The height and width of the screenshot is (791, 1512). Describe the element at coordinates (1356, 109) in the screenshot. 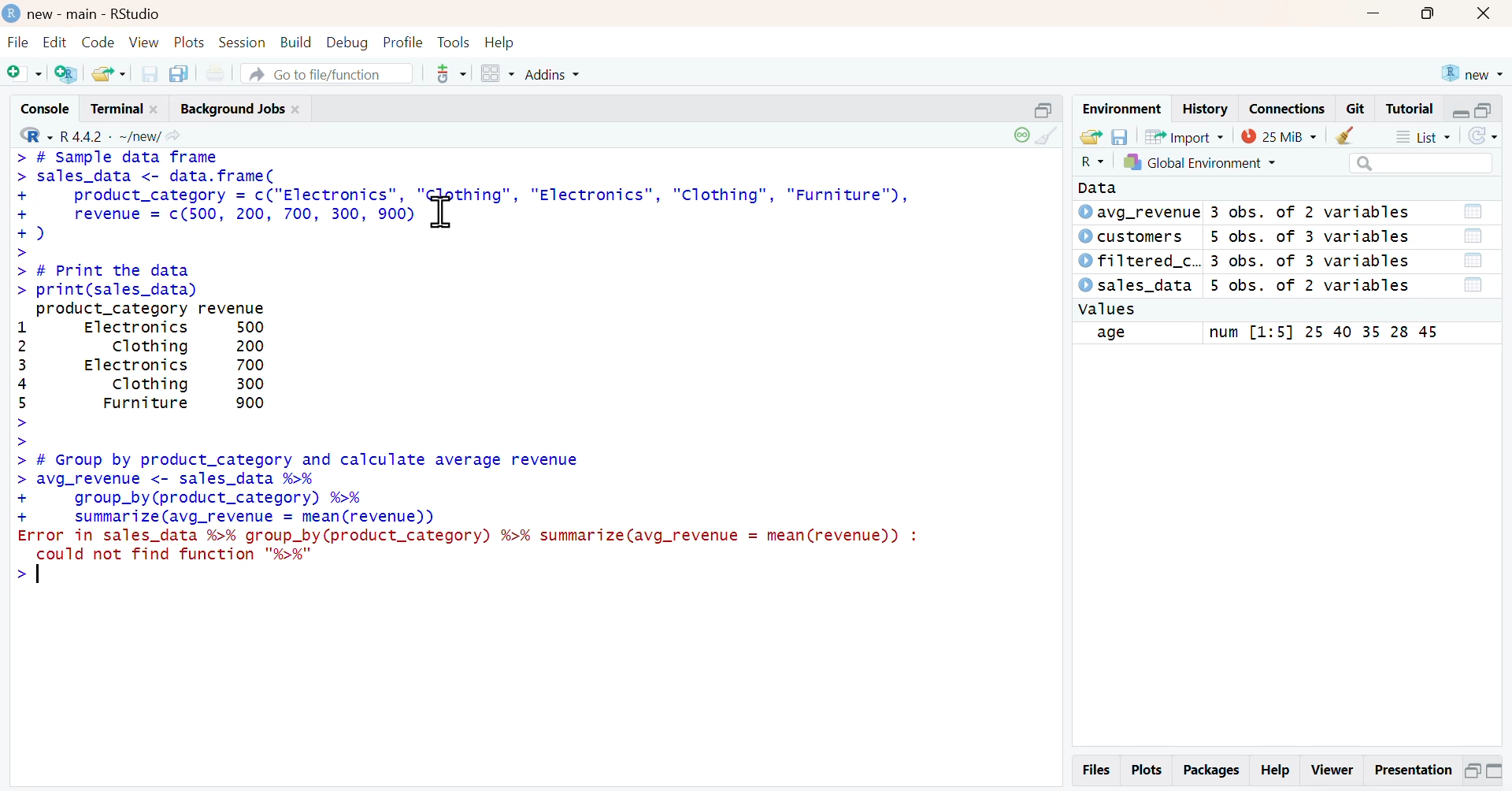

I see `Git` at that location.